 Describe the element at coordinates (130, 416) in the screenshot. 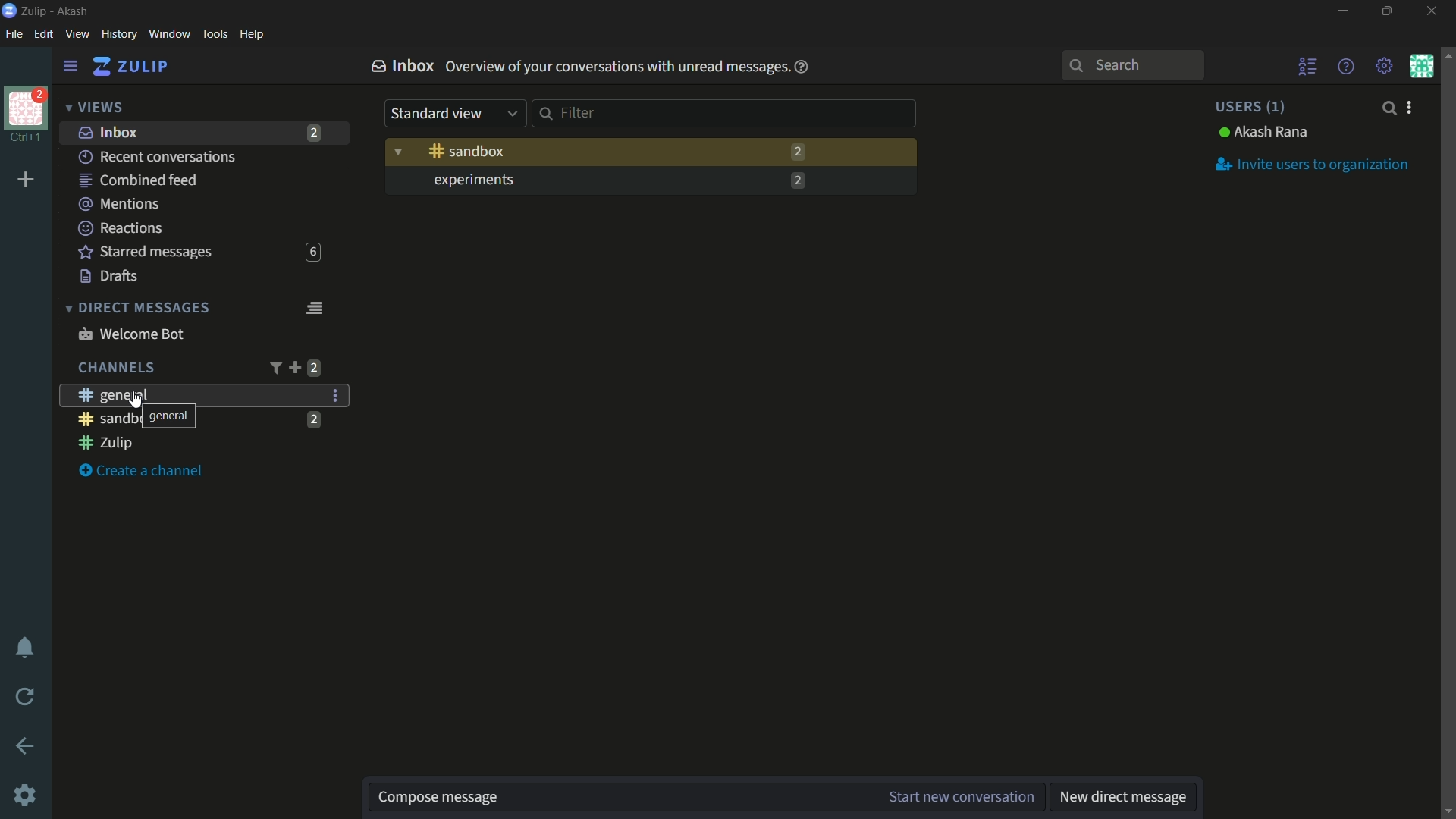

I see `general` at that location.